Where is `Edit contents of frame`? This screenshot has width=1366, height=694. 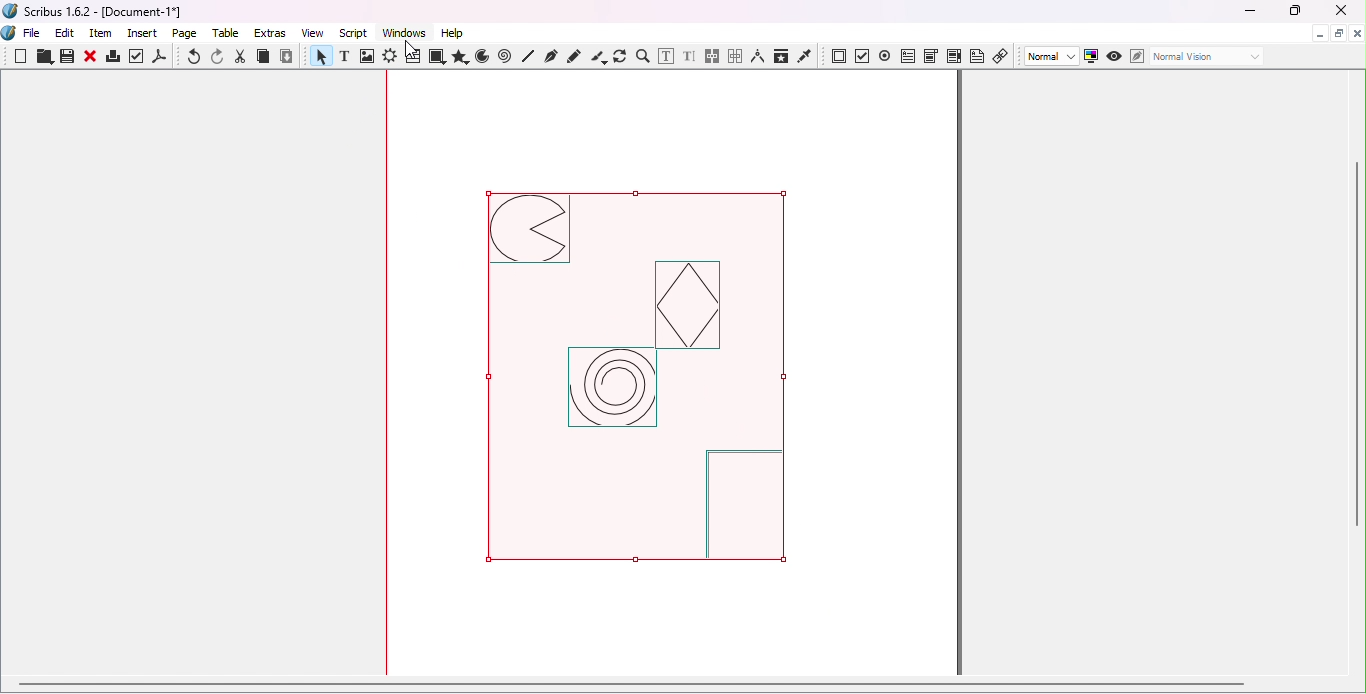 Edit contents of frame is located at coordinates (665, 56).